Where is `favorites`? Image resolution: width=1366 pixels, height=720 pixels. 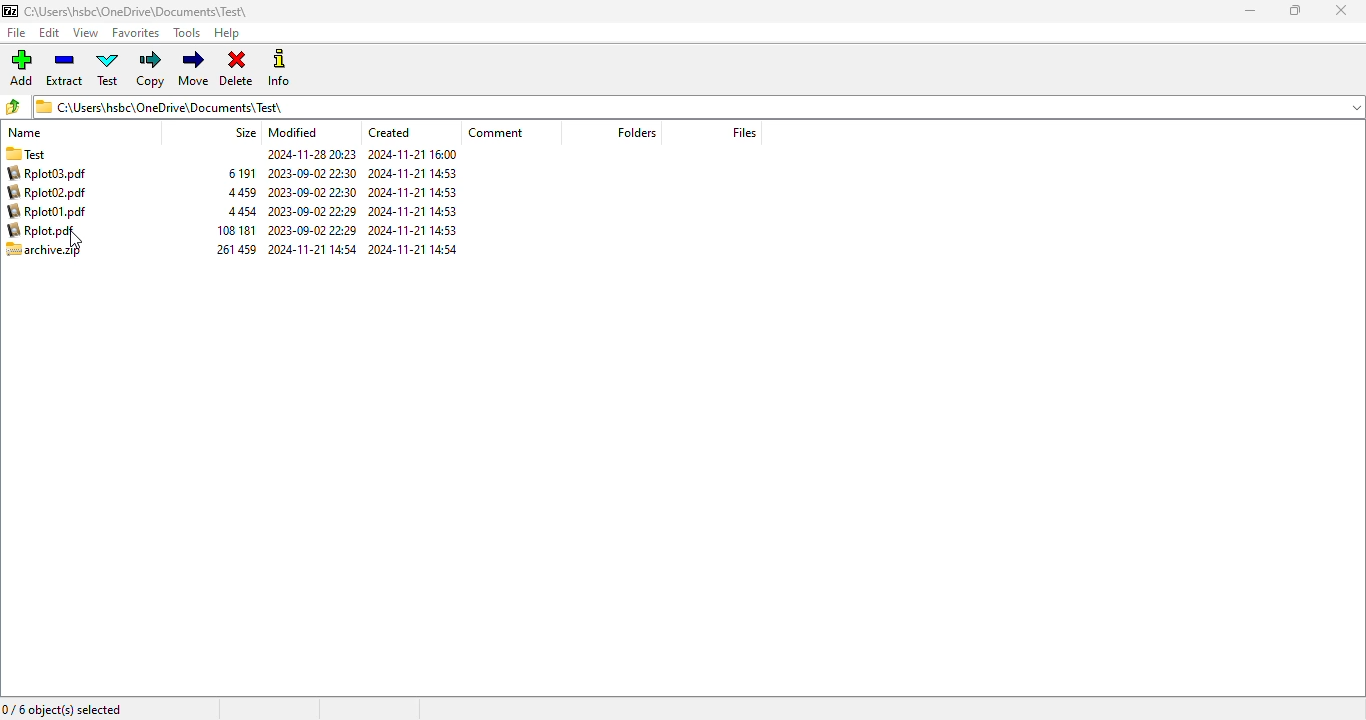
favorites is located at coordinates (137, 33).